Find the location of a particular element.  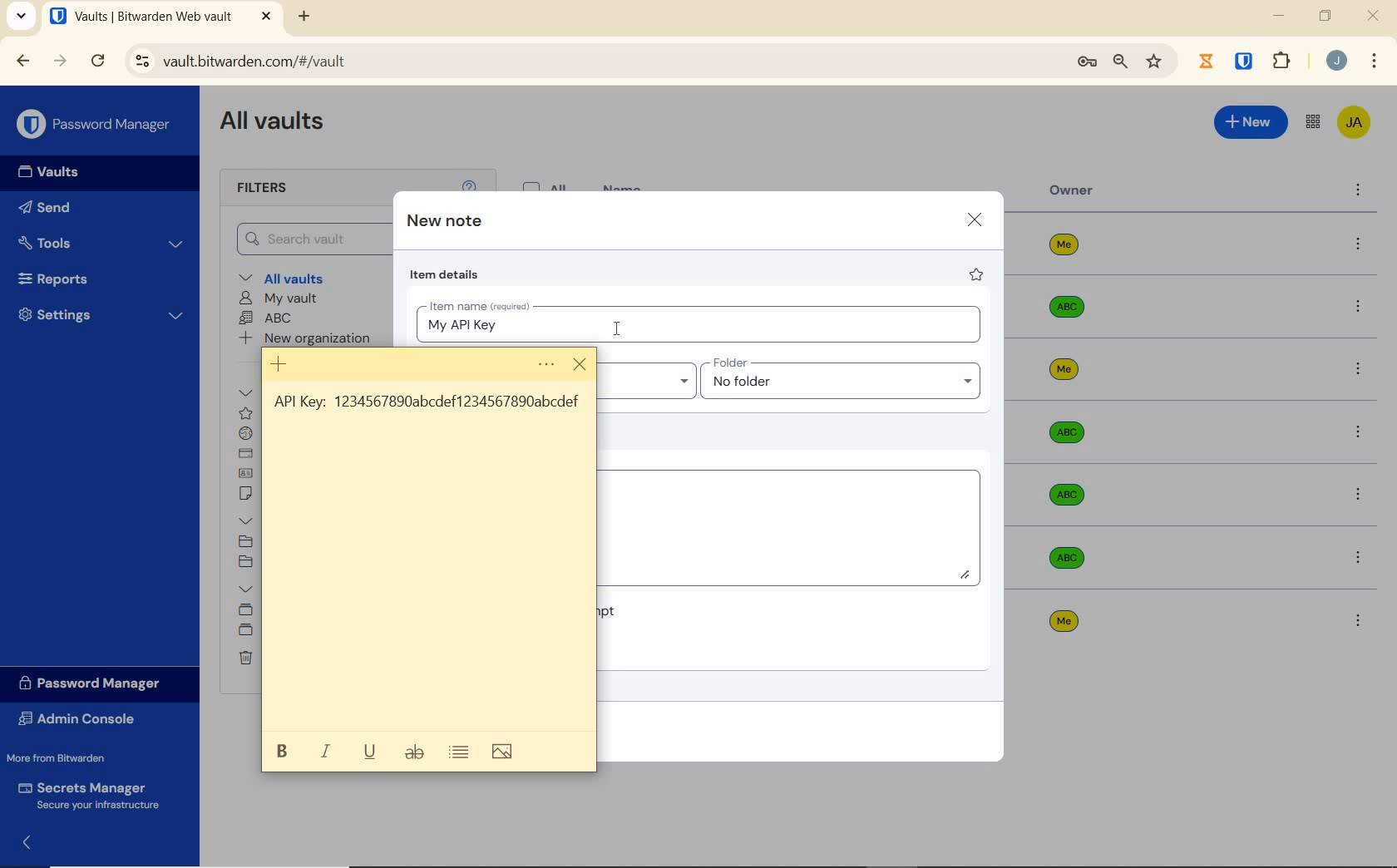

more options is located at coordinates (1358, 192).